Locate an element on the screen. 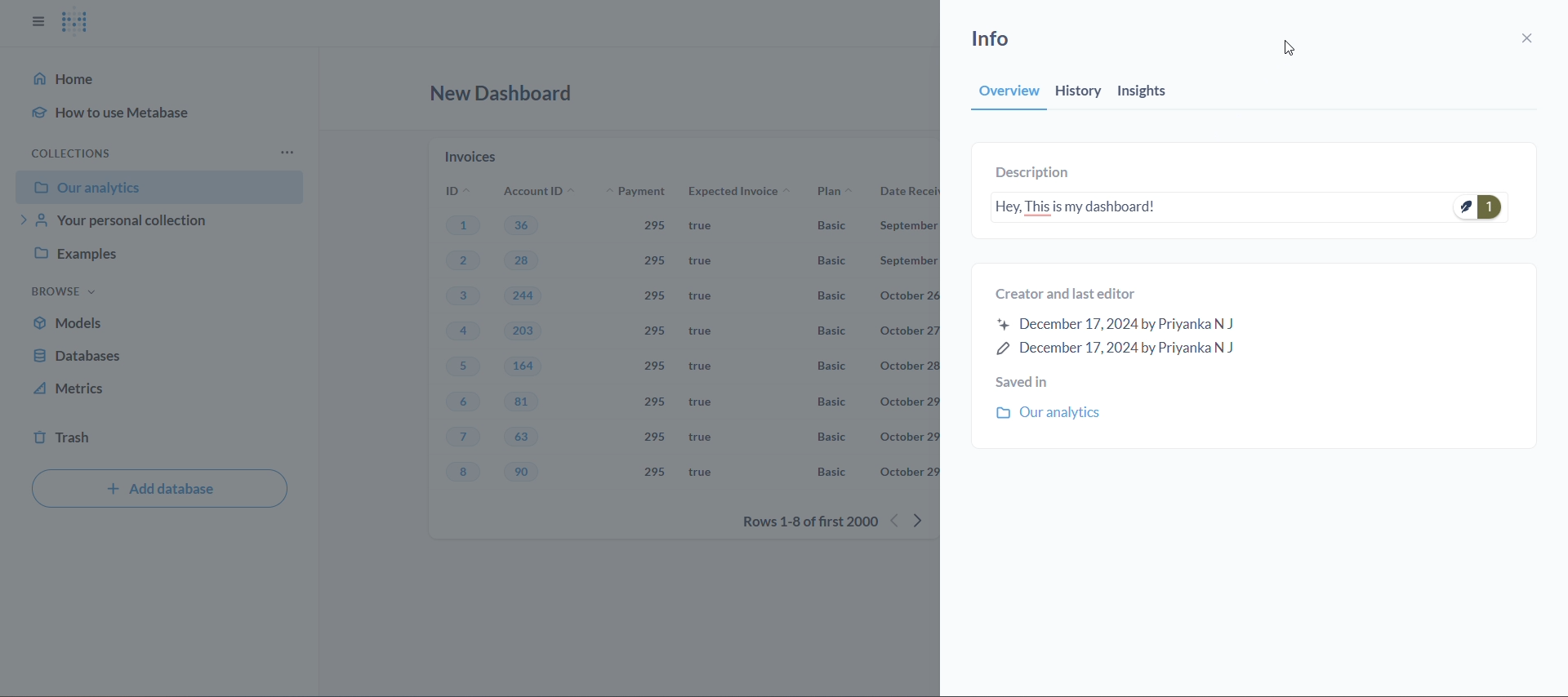 The image size is (1568, 697). more  is located at coordinates (292, 151).